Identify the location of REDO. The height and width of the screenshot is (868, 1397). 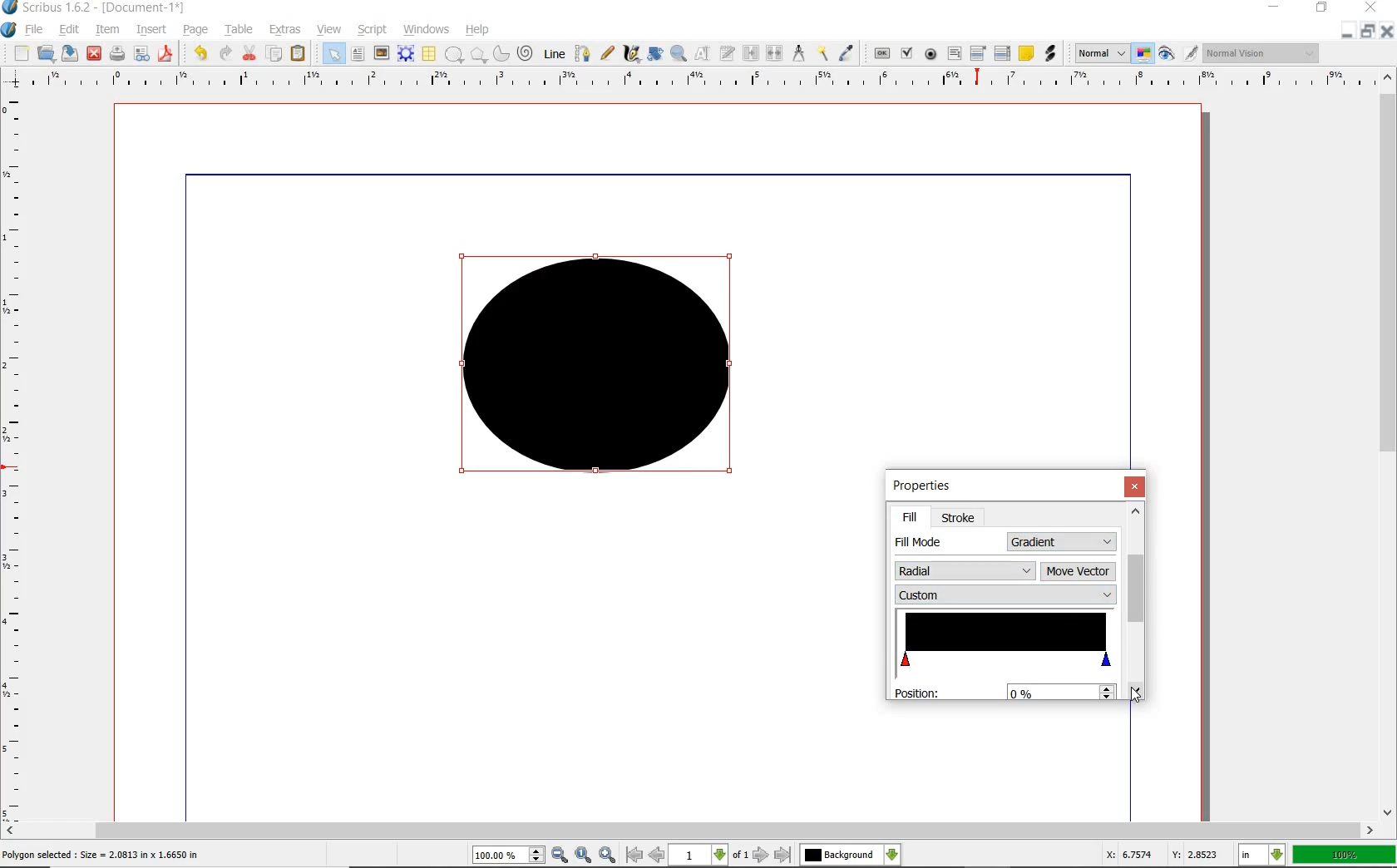
(225, 52).